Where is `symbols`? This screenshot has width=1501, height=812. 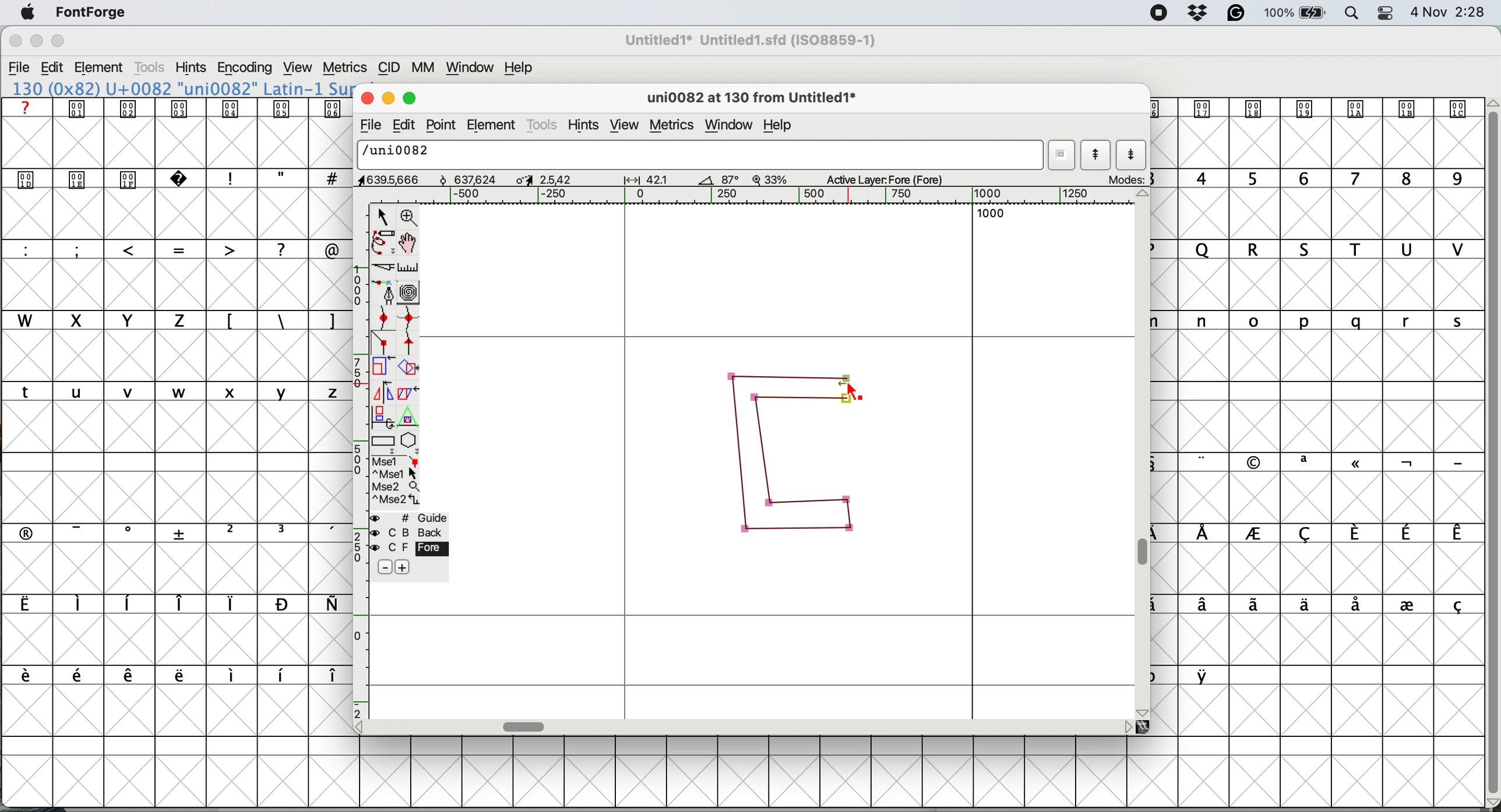 symbols is located at coordinates (1325, 606).